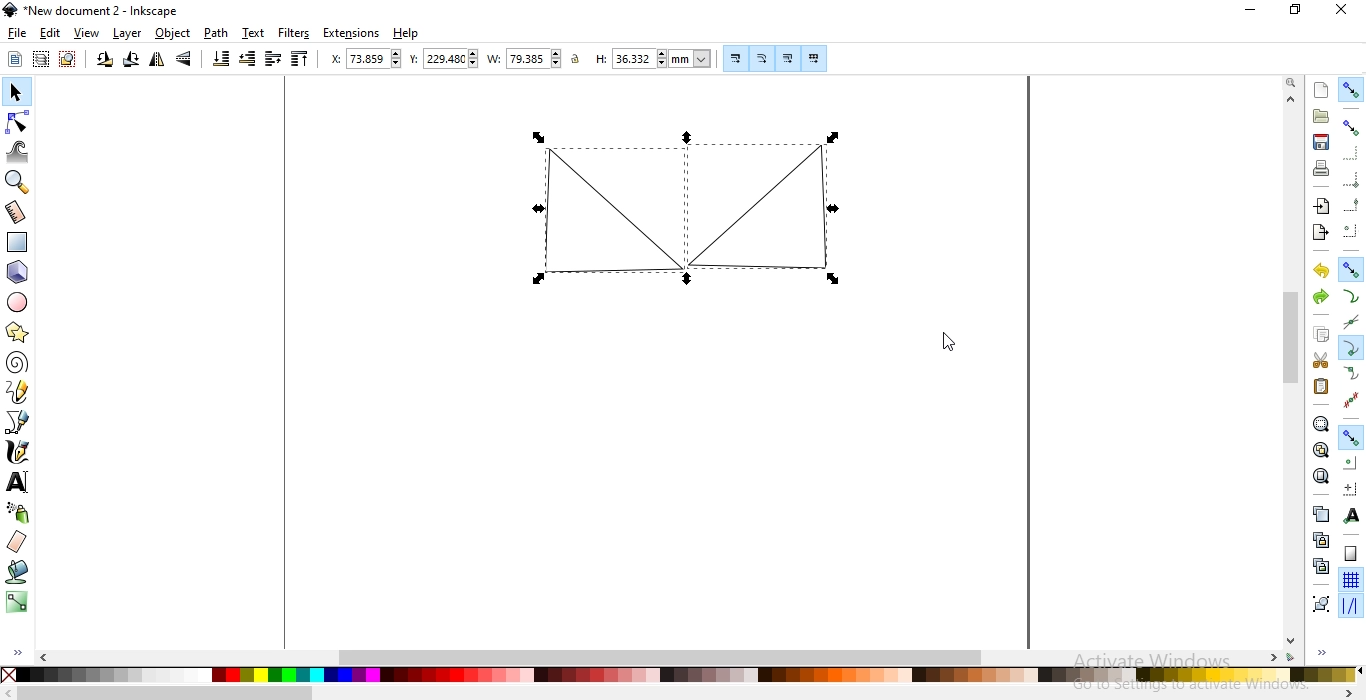 This screenshot has width=1366, height=700. What do you see at coordinates (18, 513) in the screenshot?
I see `spray objects by sculpting or painting` at bounding box center [18, 513].